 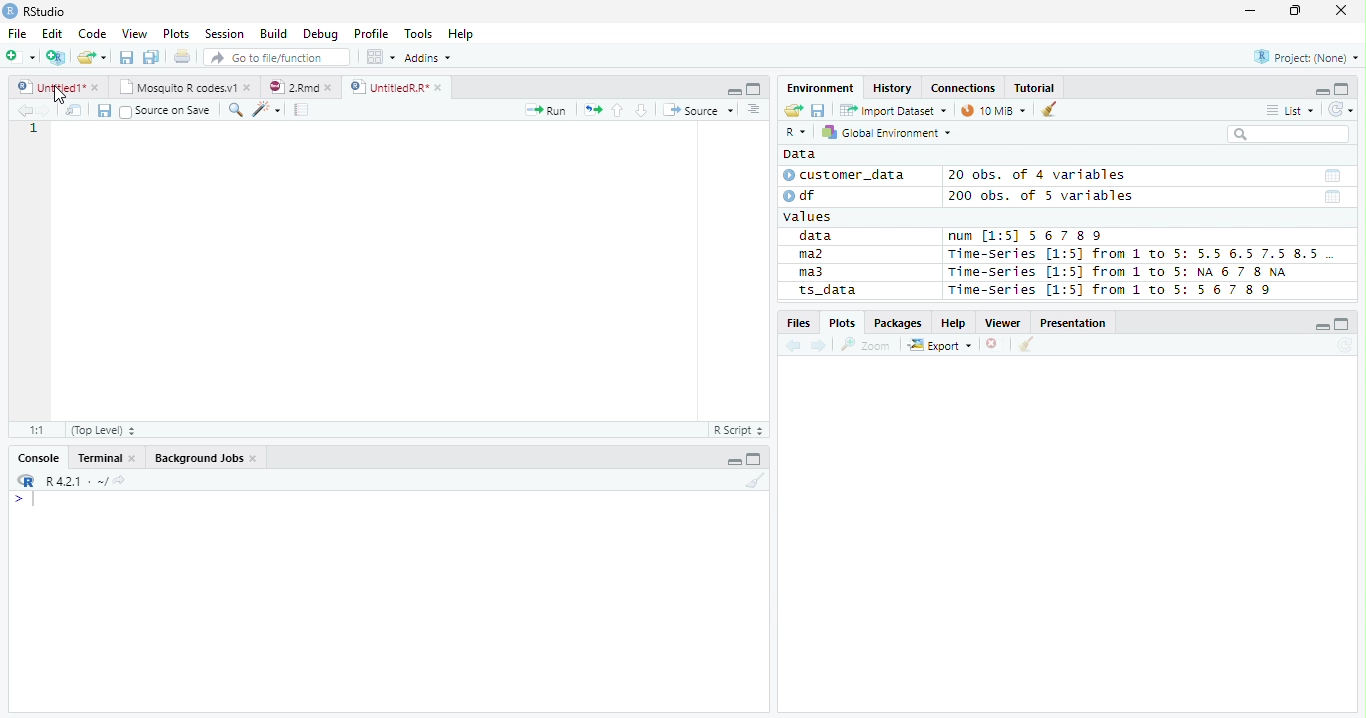 I want to click on Viewer, so click(x=1006, y=323).